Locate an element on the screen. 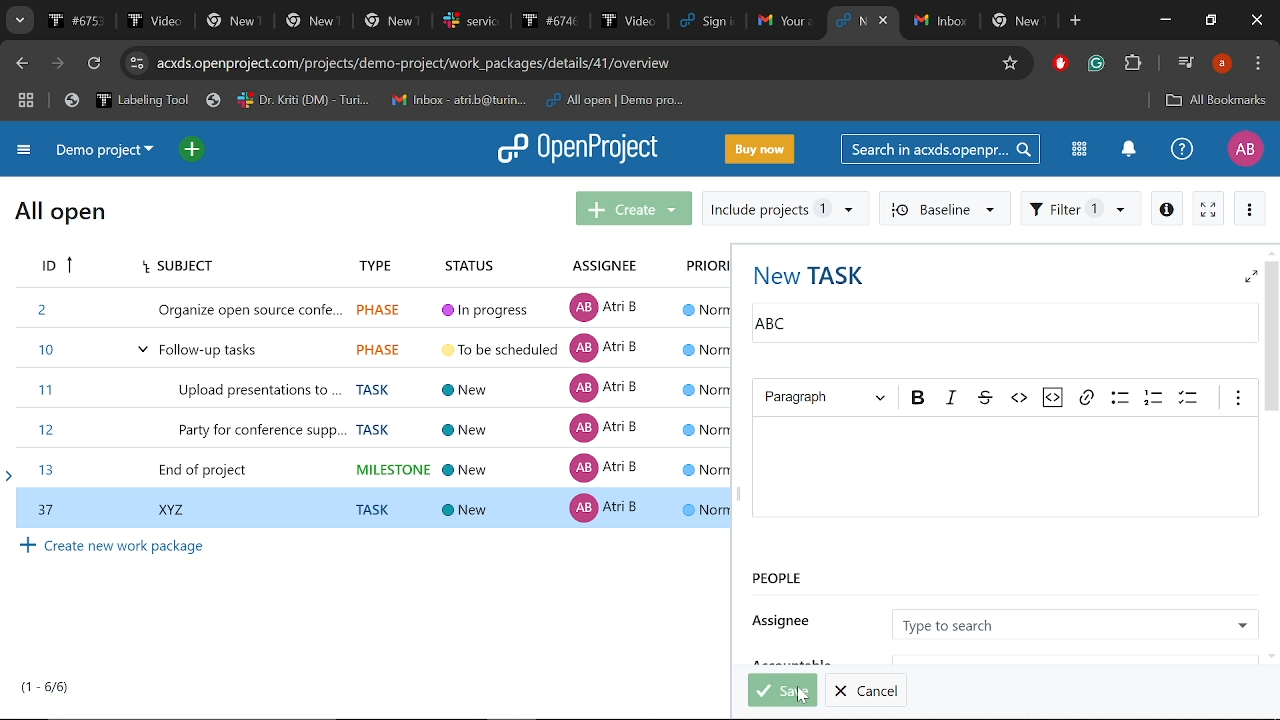  Tabs is located at coordinates (432, 20).